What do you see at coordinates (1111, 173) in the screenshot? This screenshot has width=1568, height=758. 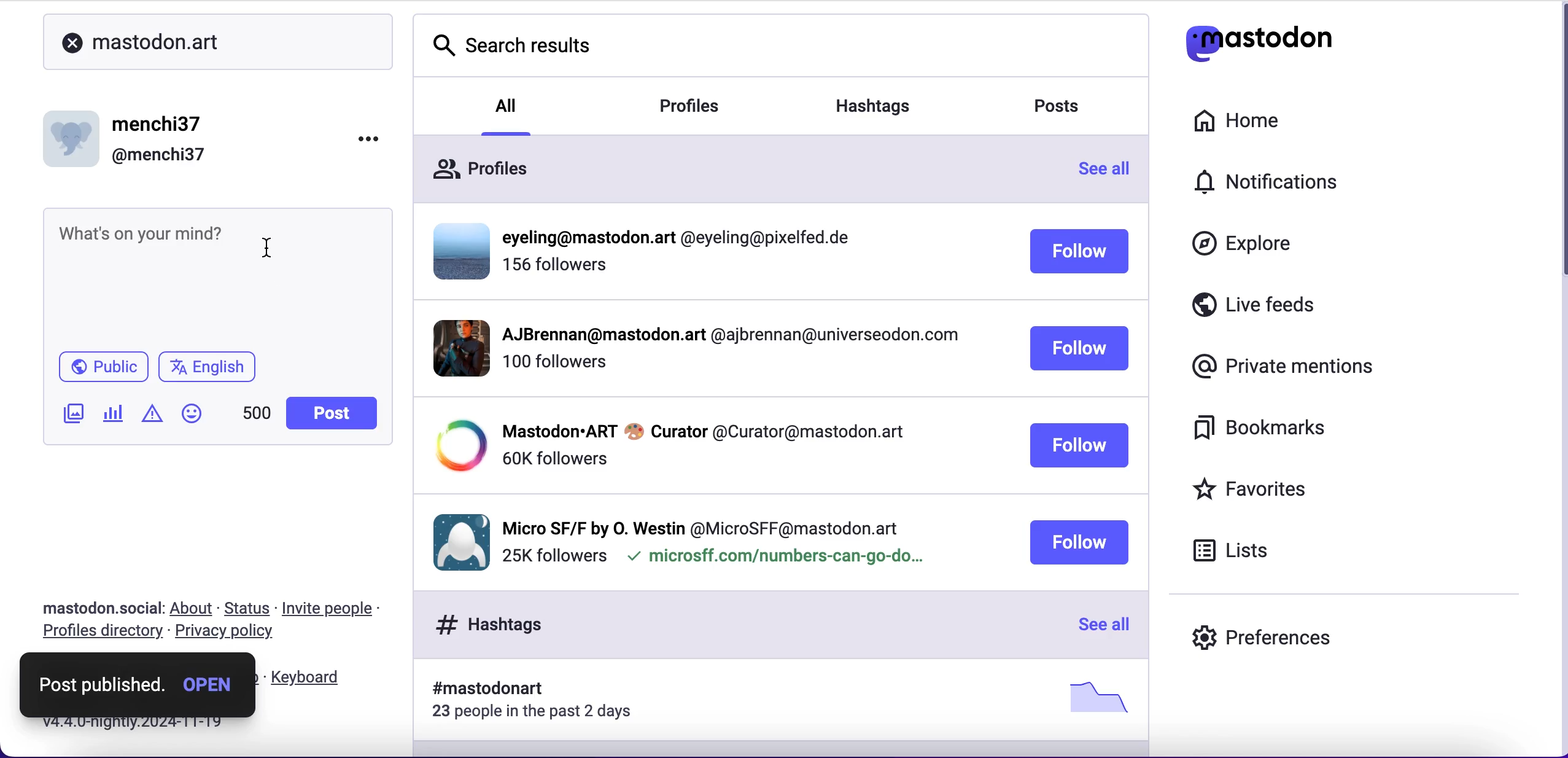 I see `see all` at bounding box center [1111, 173].